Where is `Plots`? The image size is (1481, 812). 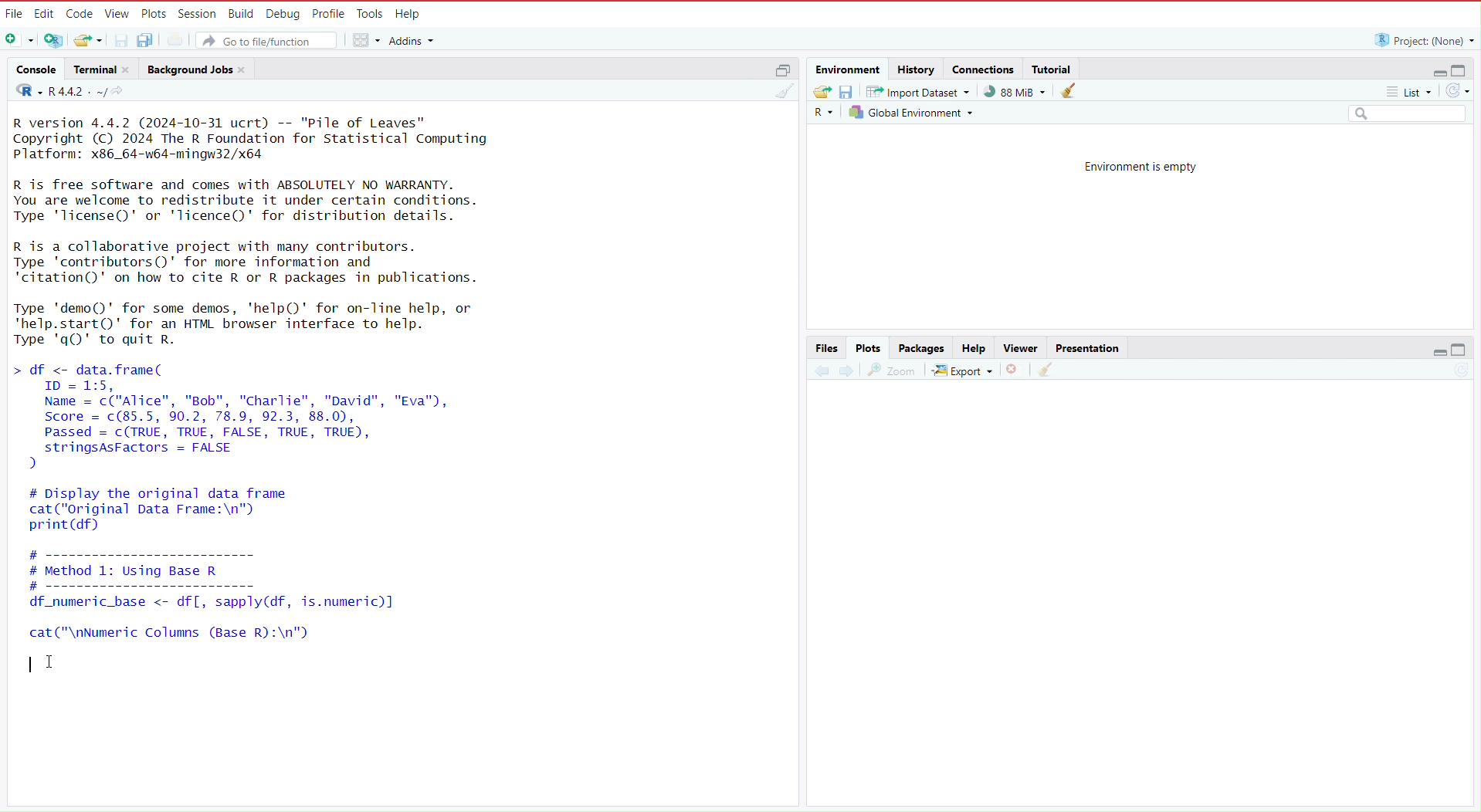
Plots is located at coordinates (156, 13).